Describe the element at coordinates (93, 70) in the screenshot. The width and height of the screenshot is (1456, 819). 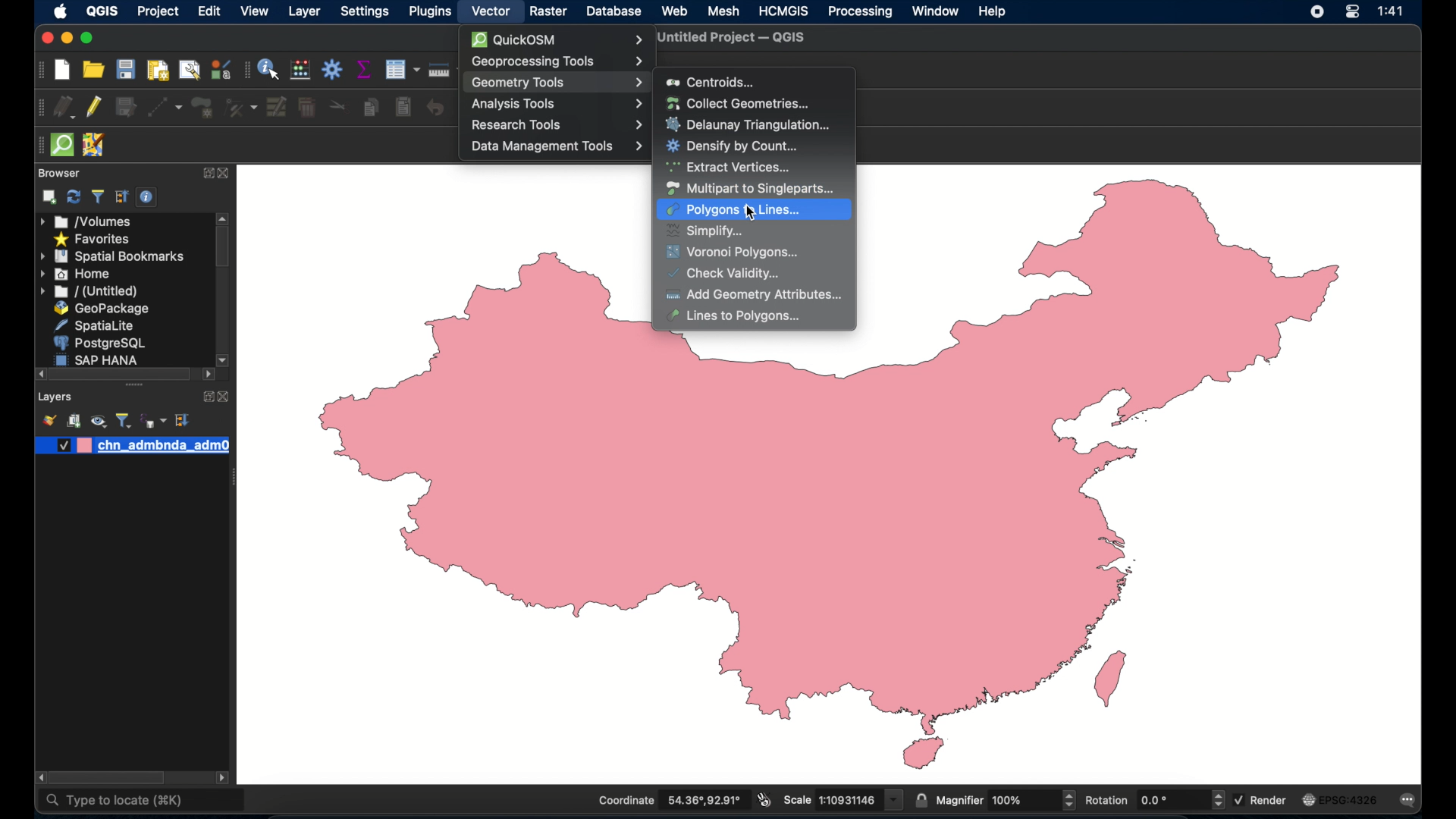
I see `open project` at that location.